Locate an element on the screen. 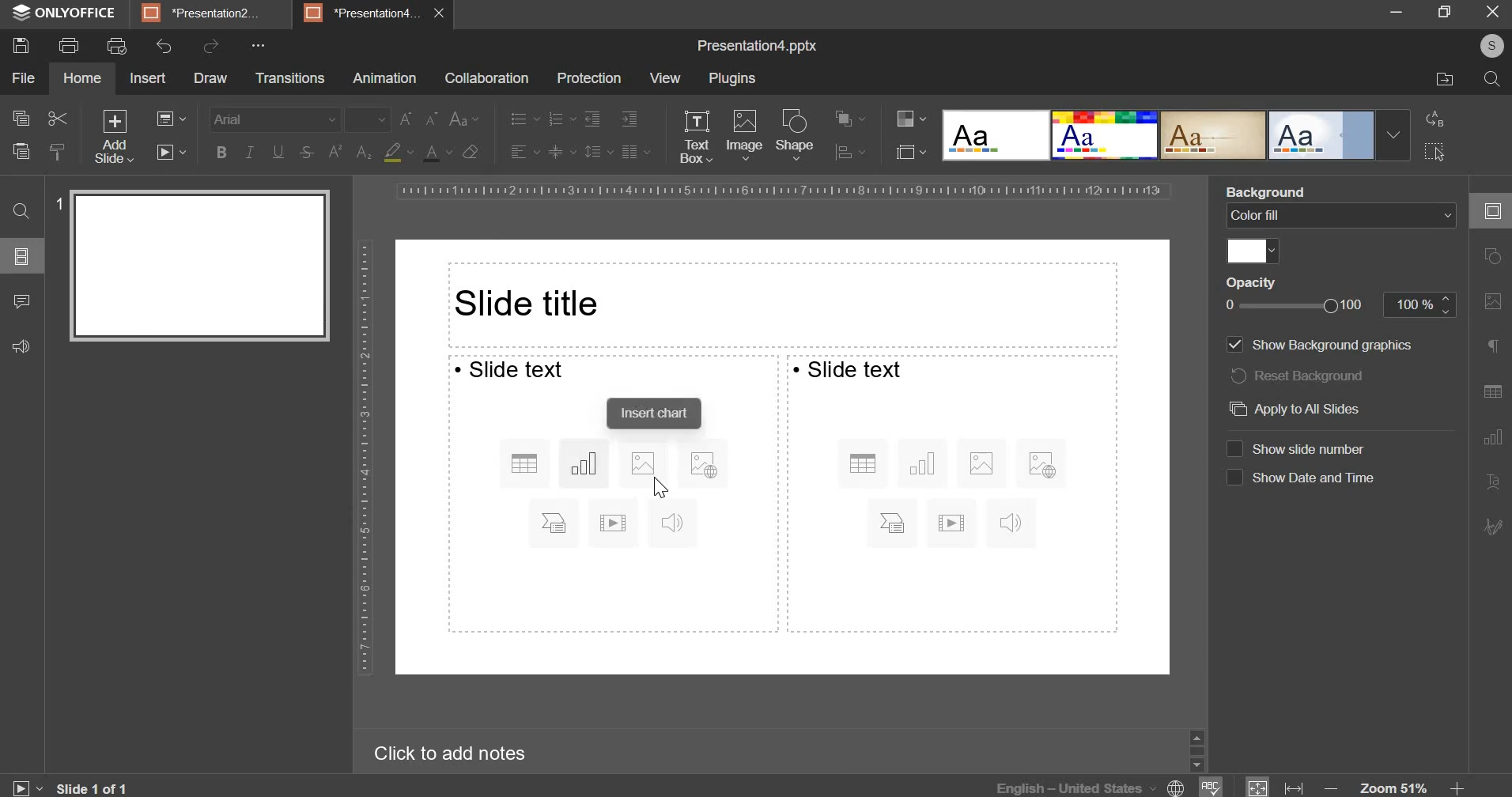  table setting is located at coordinates (1491, 387).